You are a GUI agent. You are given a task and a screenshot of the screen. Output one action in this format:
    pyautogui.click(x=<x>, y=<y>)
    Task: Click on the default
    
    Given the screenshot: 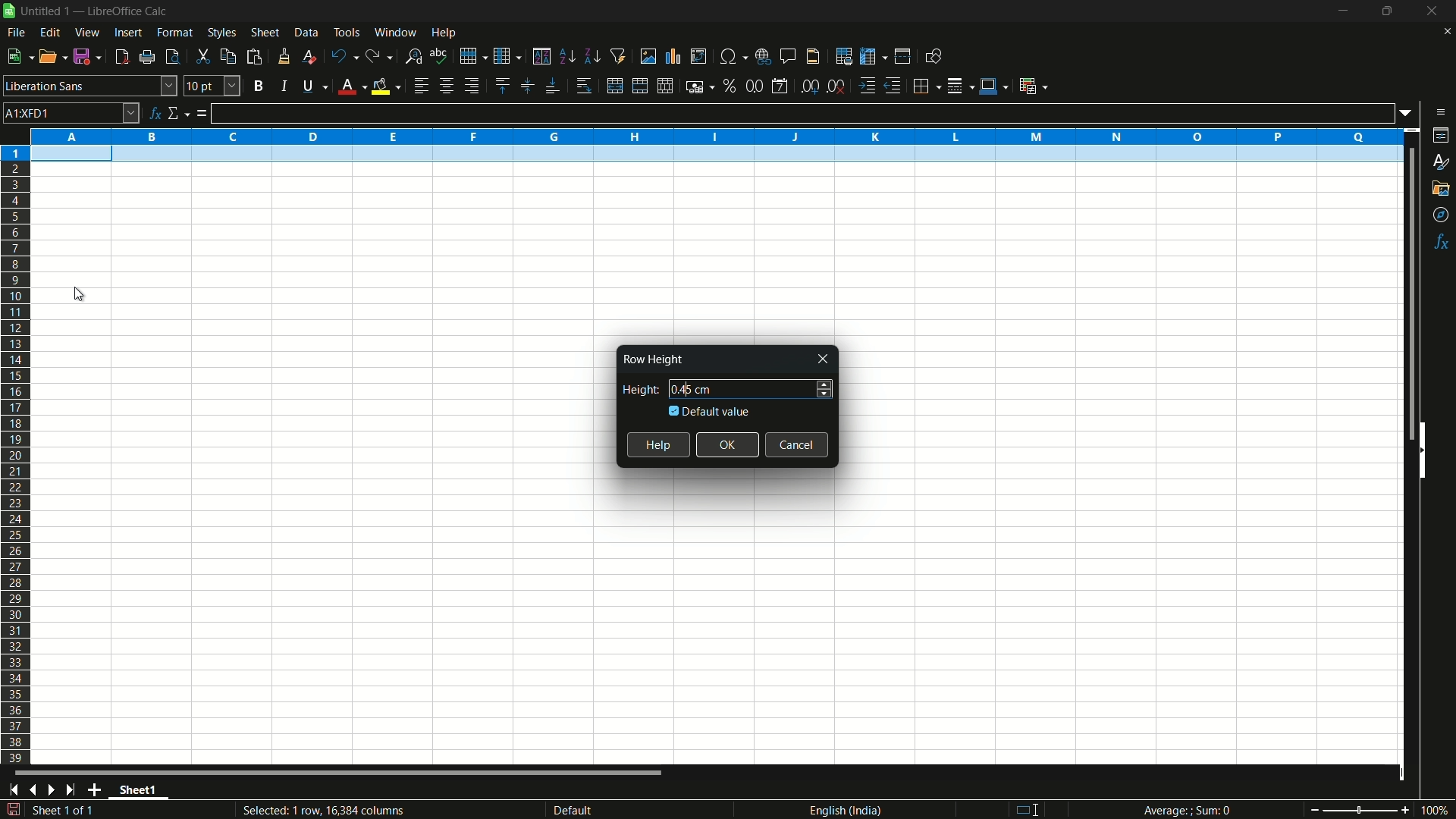 What is the action you would take?
    pyautogui.click(x=598, y=810)
    